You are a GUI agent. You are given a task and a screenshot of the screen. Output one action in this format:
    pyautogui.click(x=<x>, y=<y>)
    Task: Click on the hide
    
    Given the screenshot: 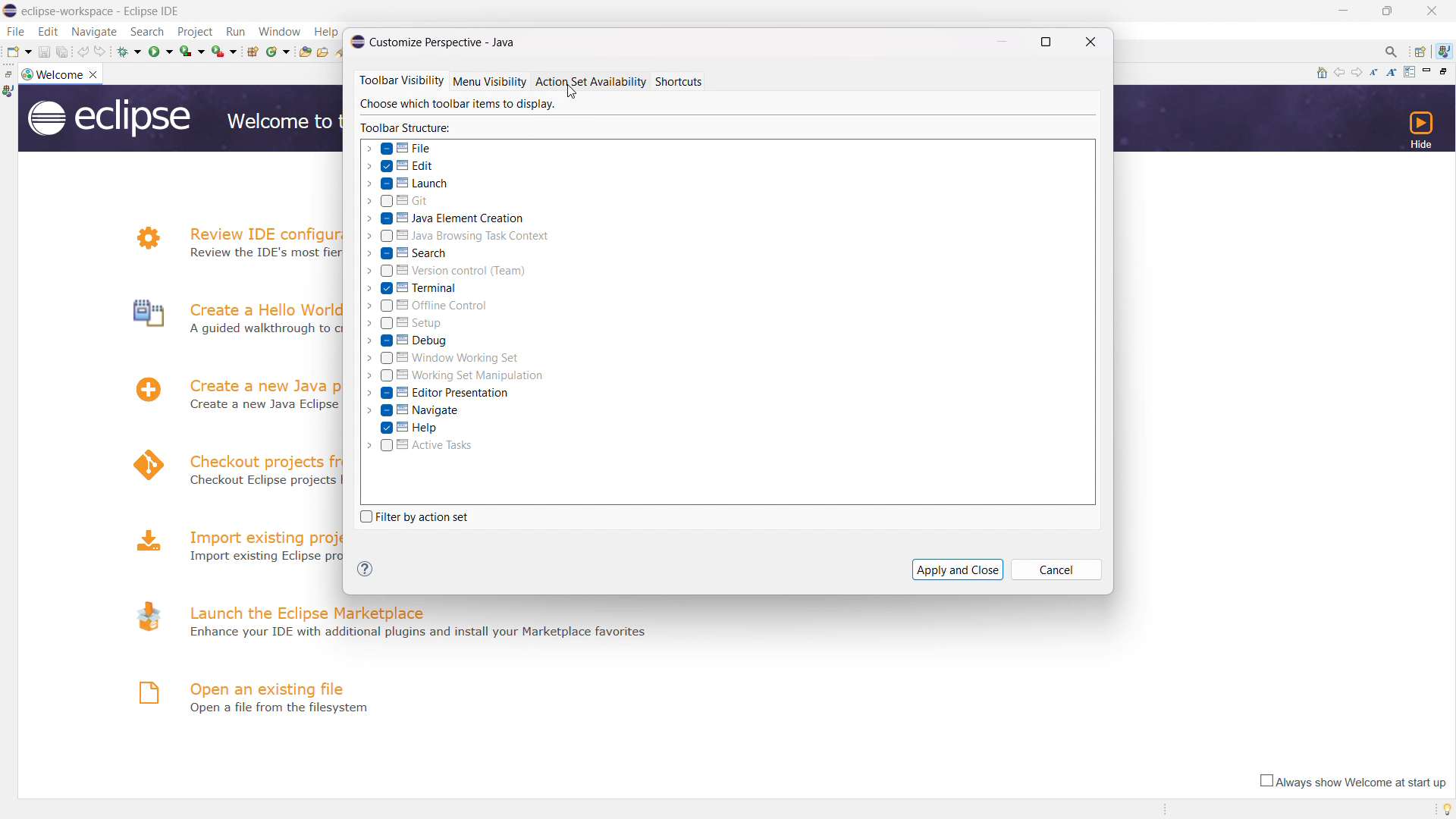 What is the action you would take?
    pyautogui.click(x=1419, y=129)
    